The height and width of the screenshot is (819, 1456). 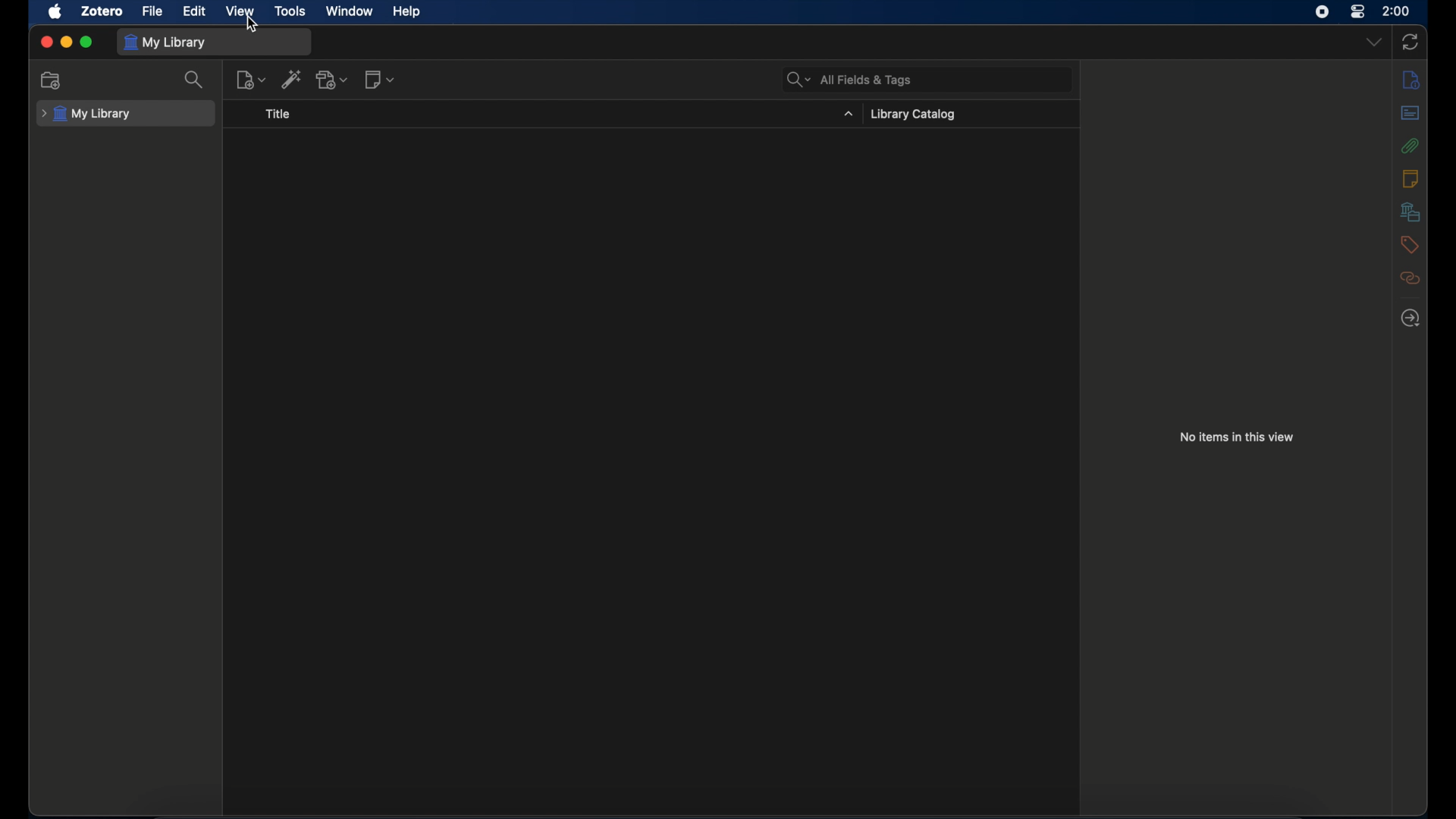 I want to click on dropdown, so click(x=1374, y=42).